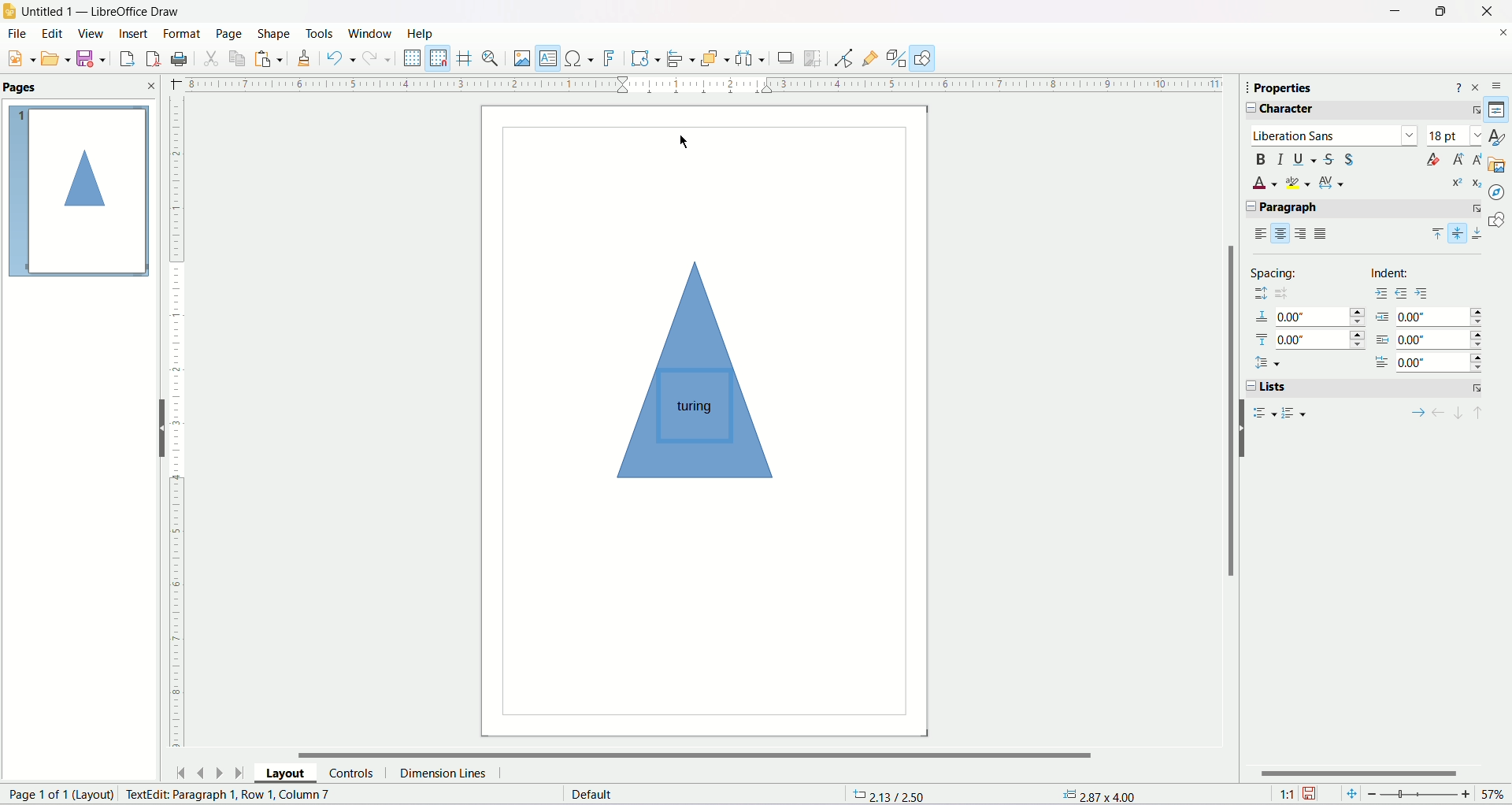 This screenshot has width=1512, height=805. Describe the element at coordinates (702, 755) in the screenshot. I see `Horizontal Scrollbar` at that location.